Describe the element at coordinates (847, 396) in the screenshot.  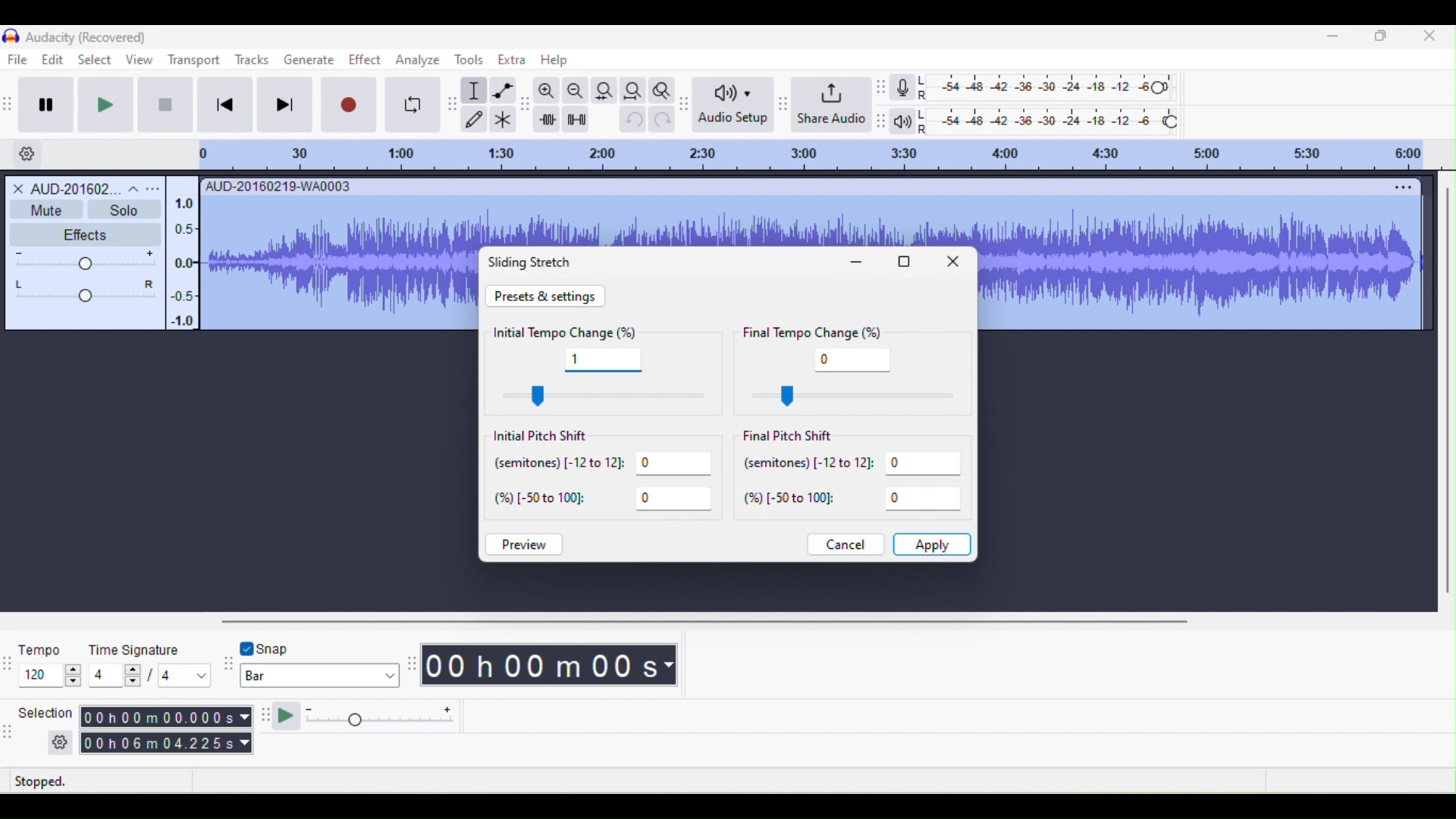
I see `control final tempo change` at that location.